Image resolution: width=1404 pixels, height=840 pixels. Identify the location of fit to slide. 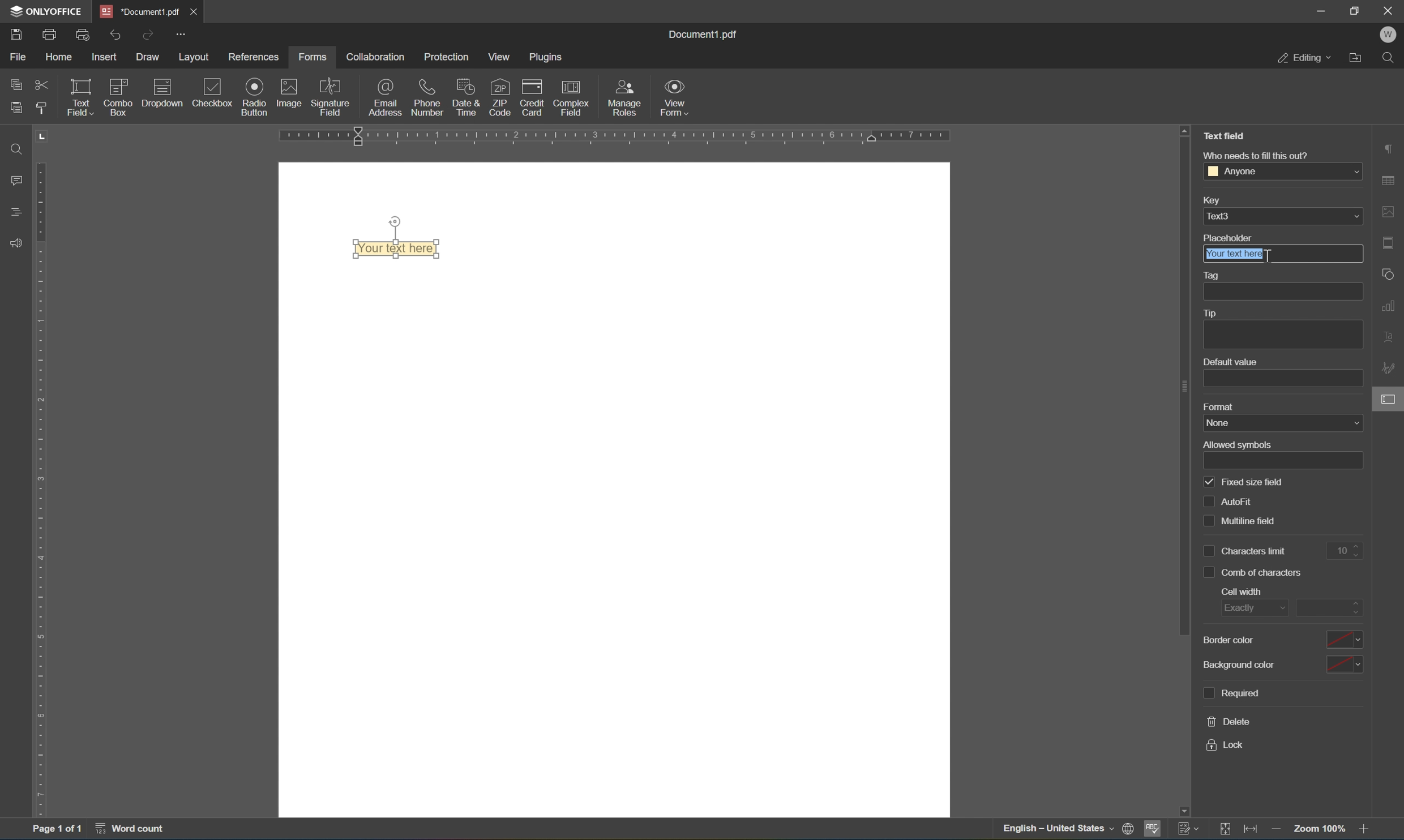
(1226, 830).